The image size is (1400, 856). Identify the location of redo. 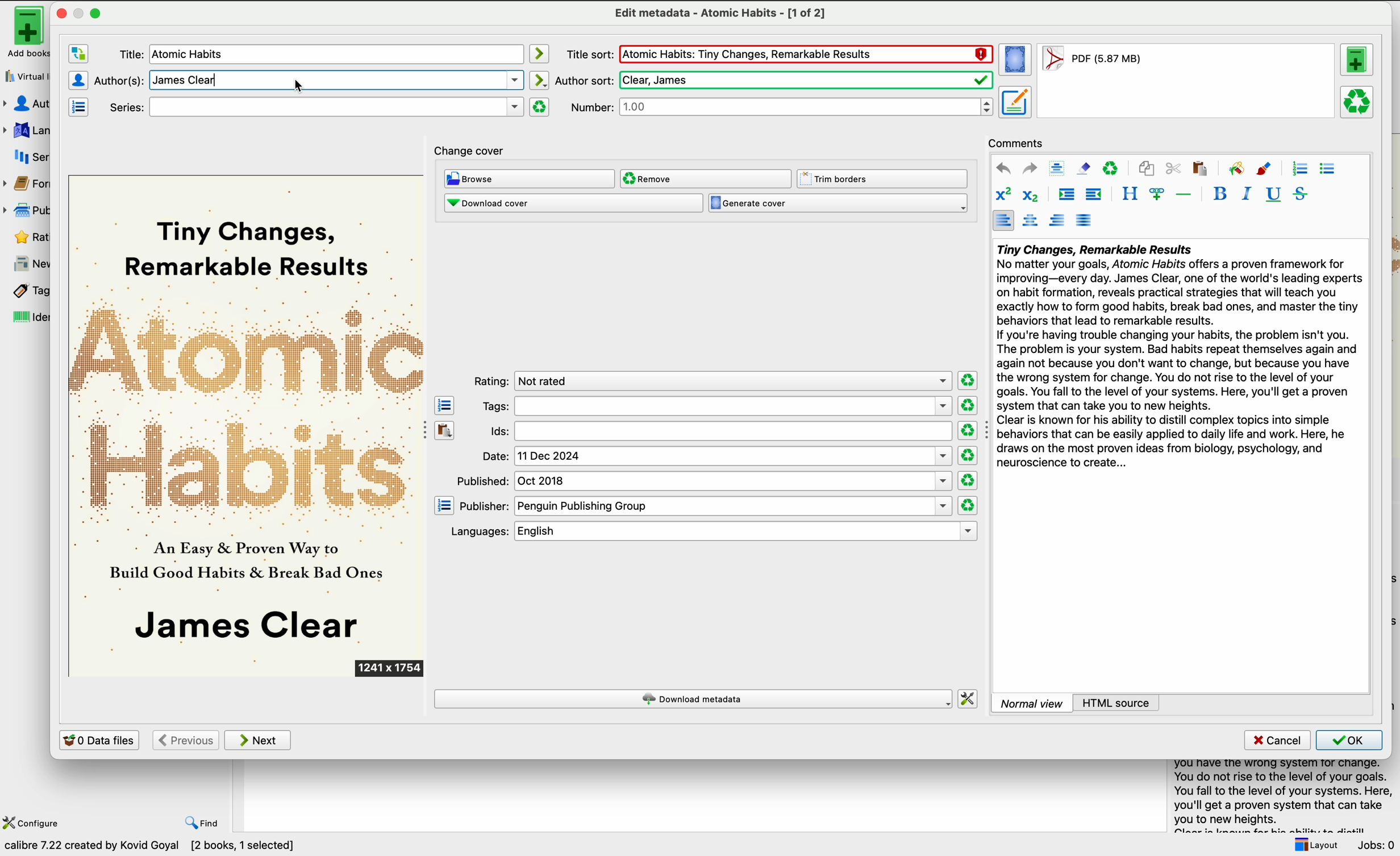
(1030, 169).